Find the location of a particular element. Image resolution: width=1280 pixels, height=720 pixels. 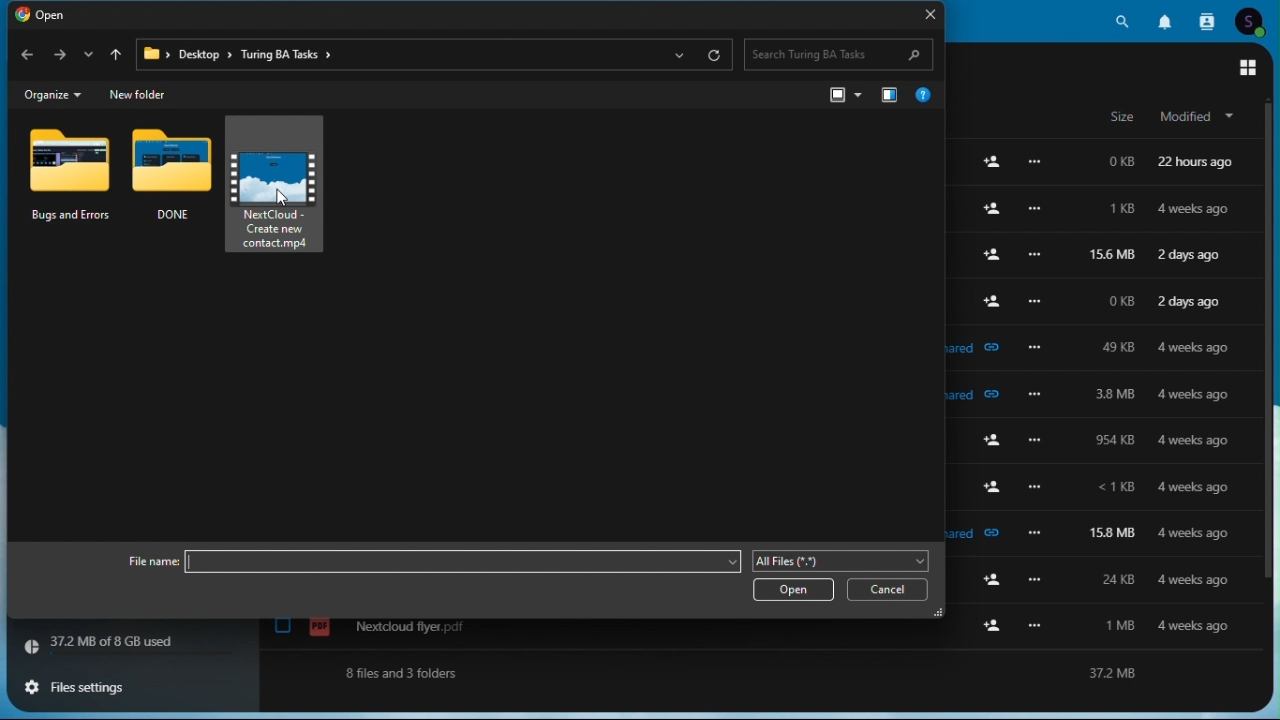

4 weeks ago is located at coordinates (1196, 536).